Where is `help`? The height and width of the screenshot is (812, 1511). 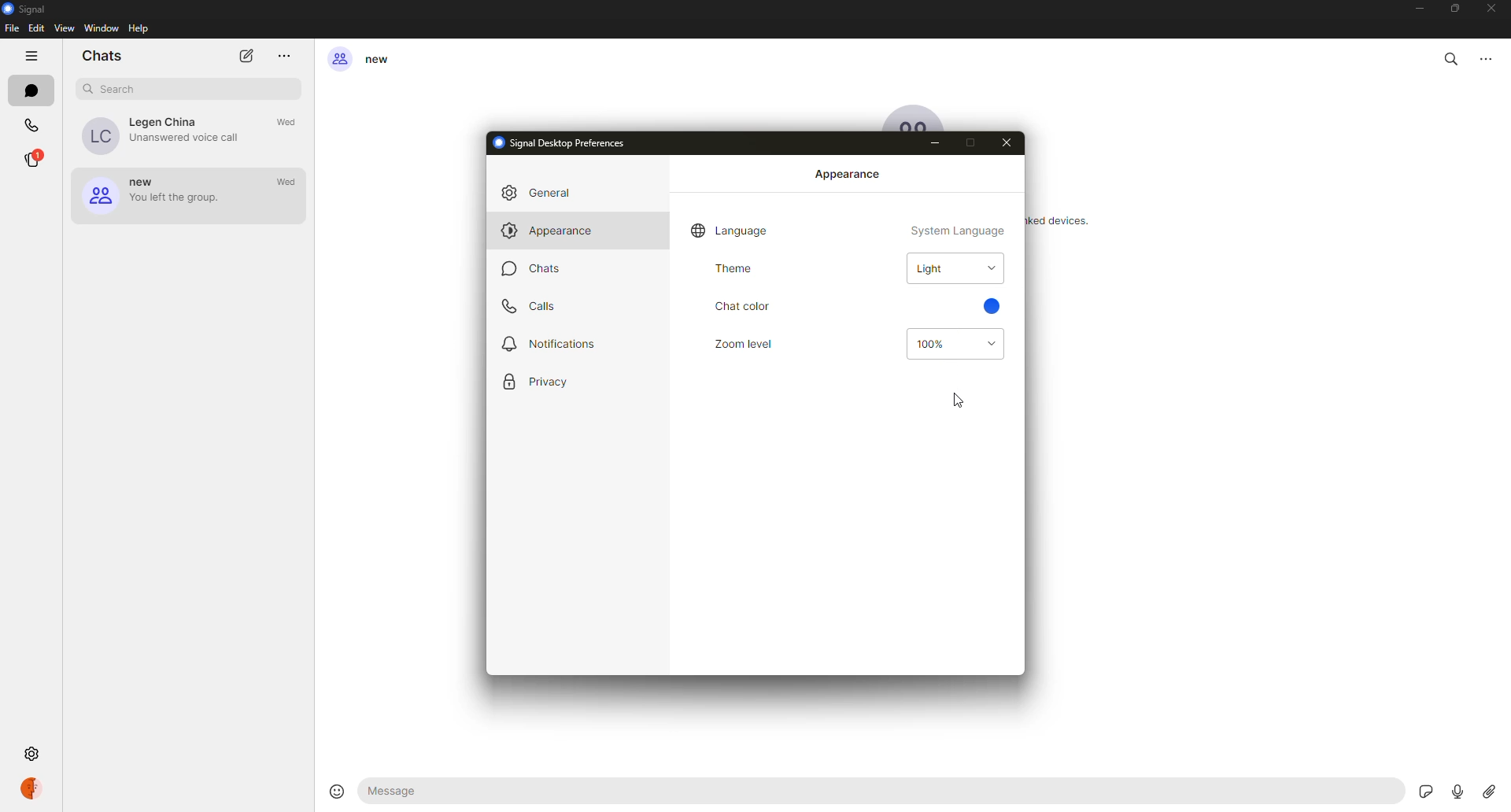 help is located at coordinates (140, 30).